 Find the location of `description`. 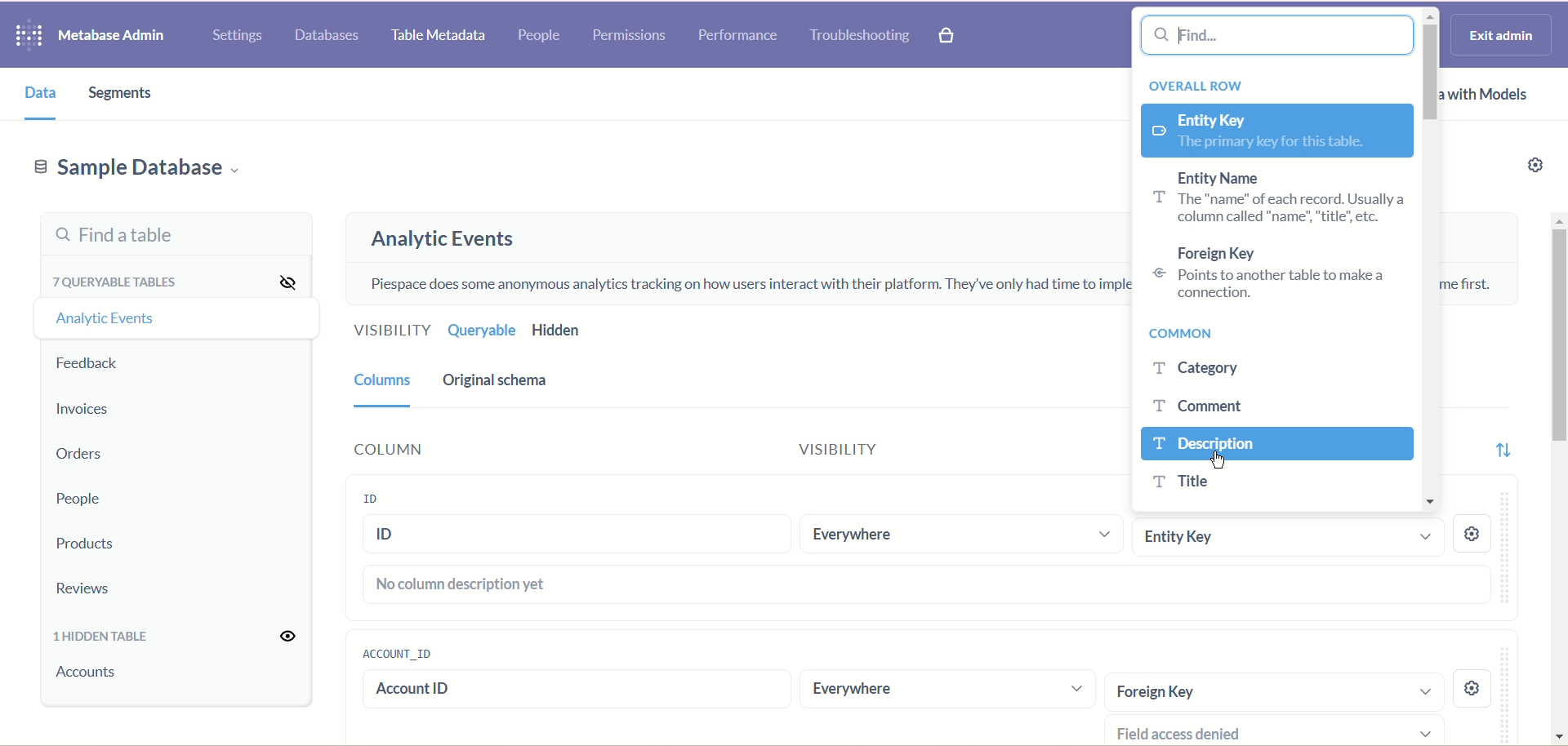

description is located at coordinates (1276, 443).